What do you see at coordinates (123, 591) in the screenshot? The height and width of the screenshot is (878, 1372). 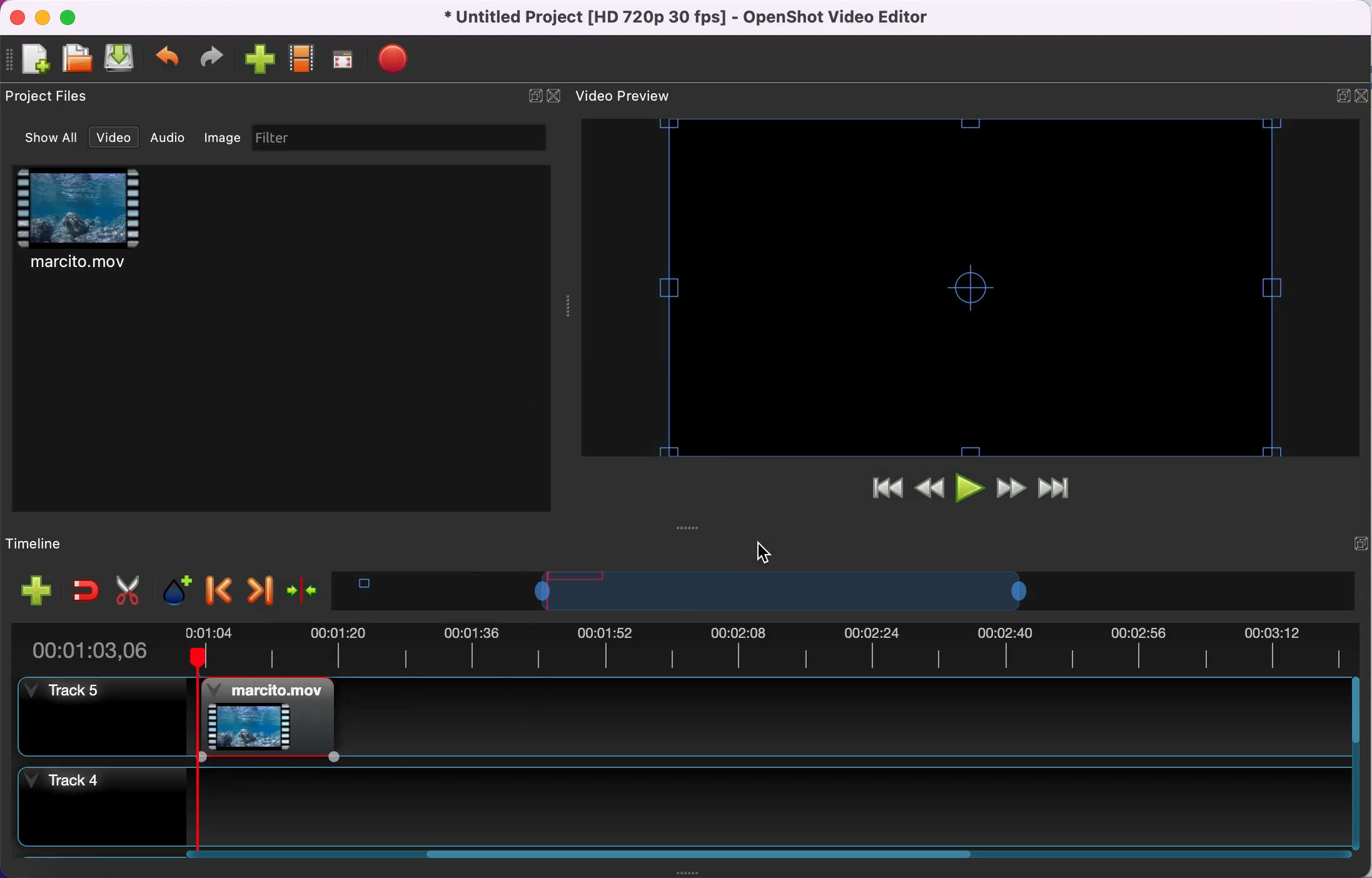 I see `cut` at bounding box center [123, 591].